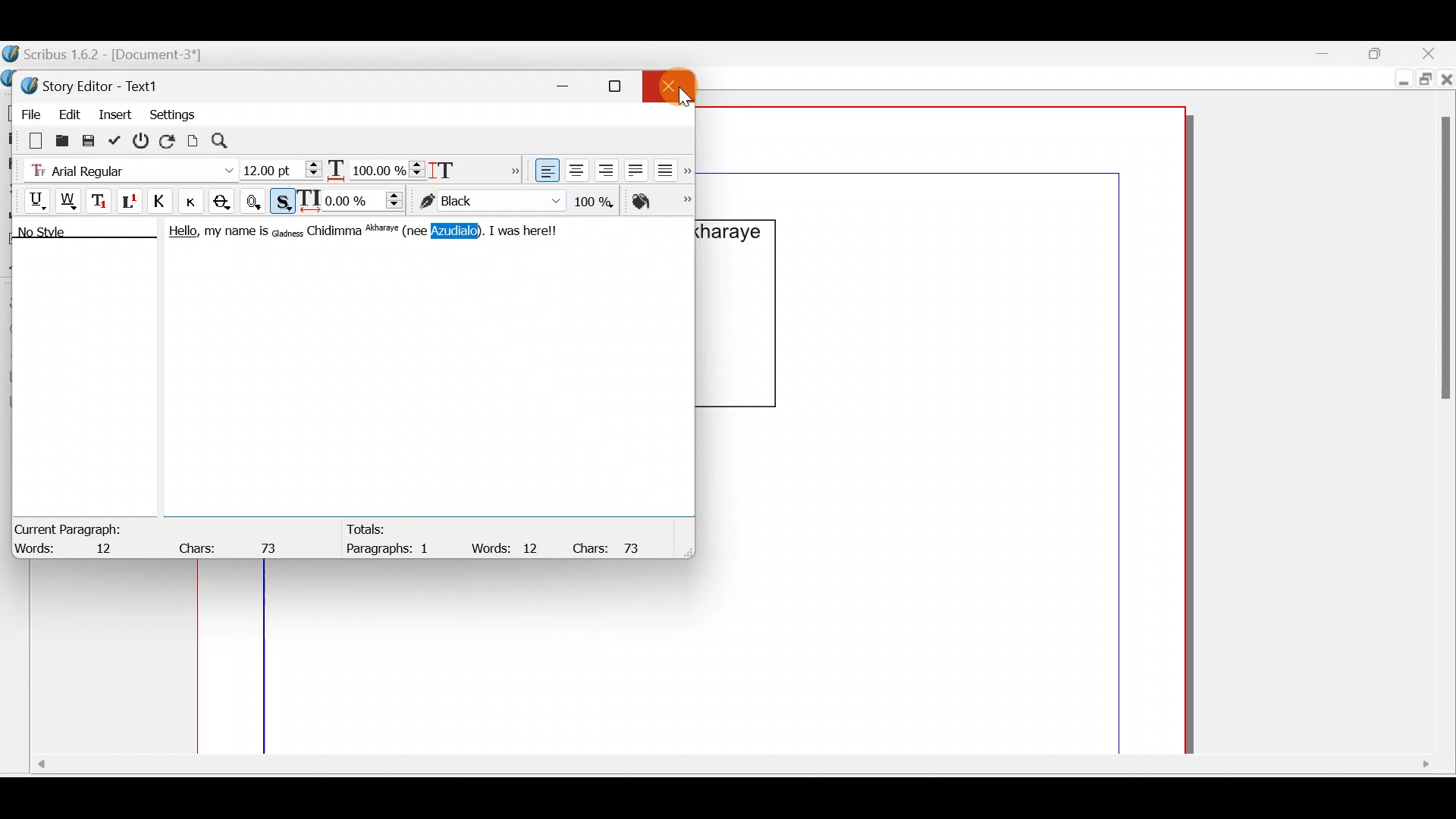  What do you see at coordinates (354, 199) in the screenshot?
I see `Manual tracking` at bounding box center [354, 199].